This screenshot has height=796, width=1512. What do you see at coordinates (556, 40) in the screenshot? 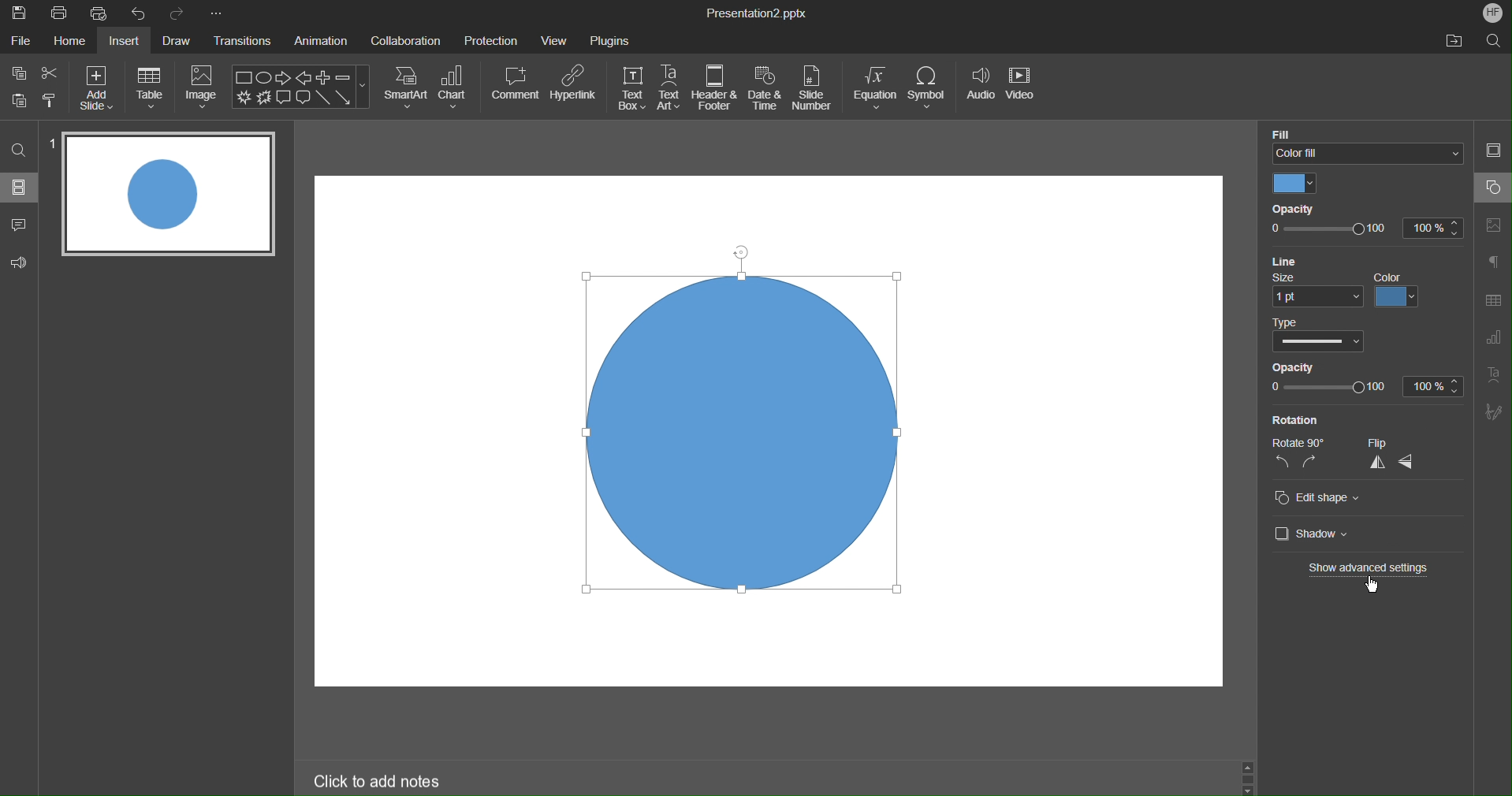
I see `View` at bounding box center [556, 40].